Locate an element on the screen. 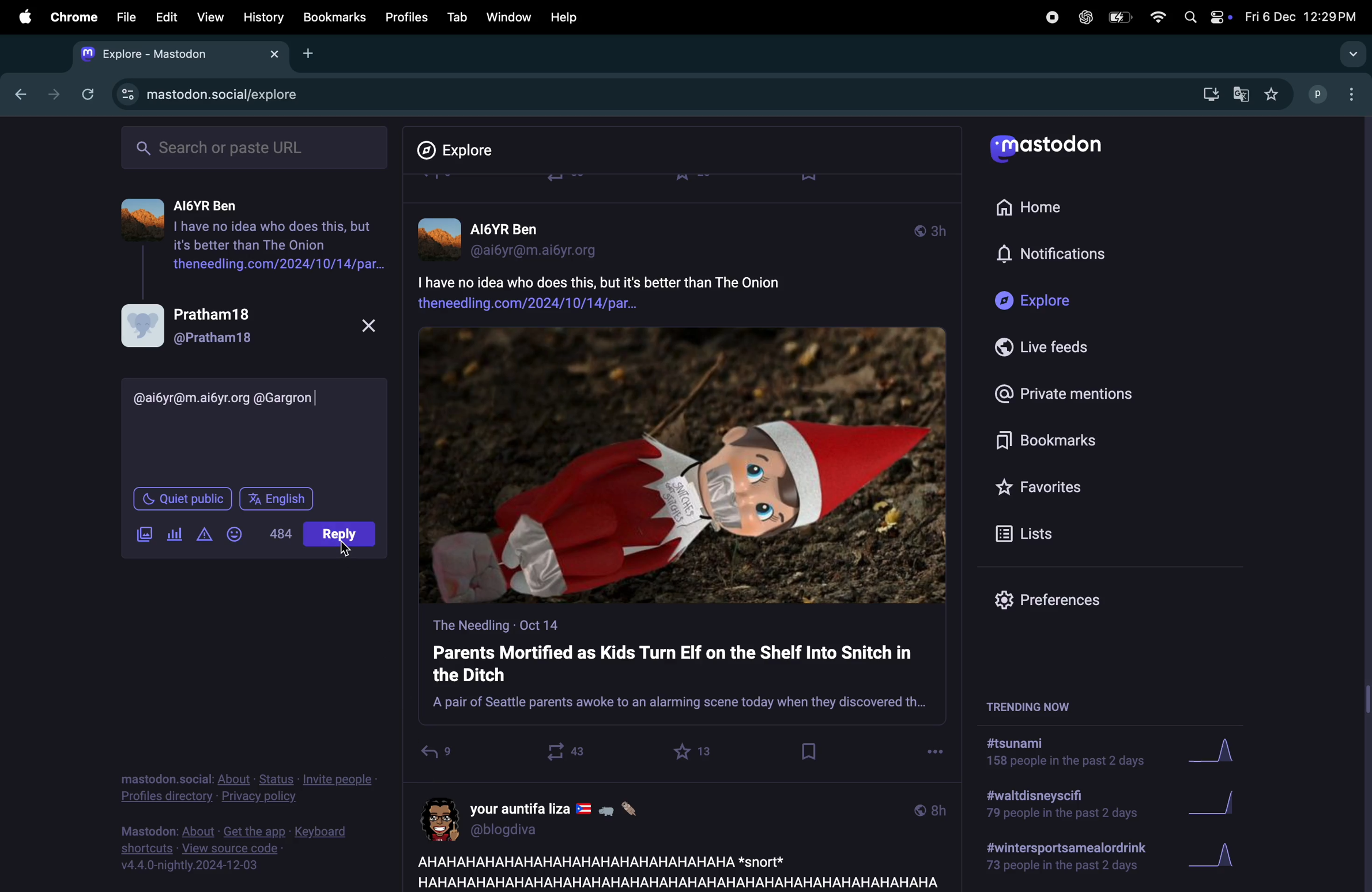  Explore is located at coordinates (1039, 301).